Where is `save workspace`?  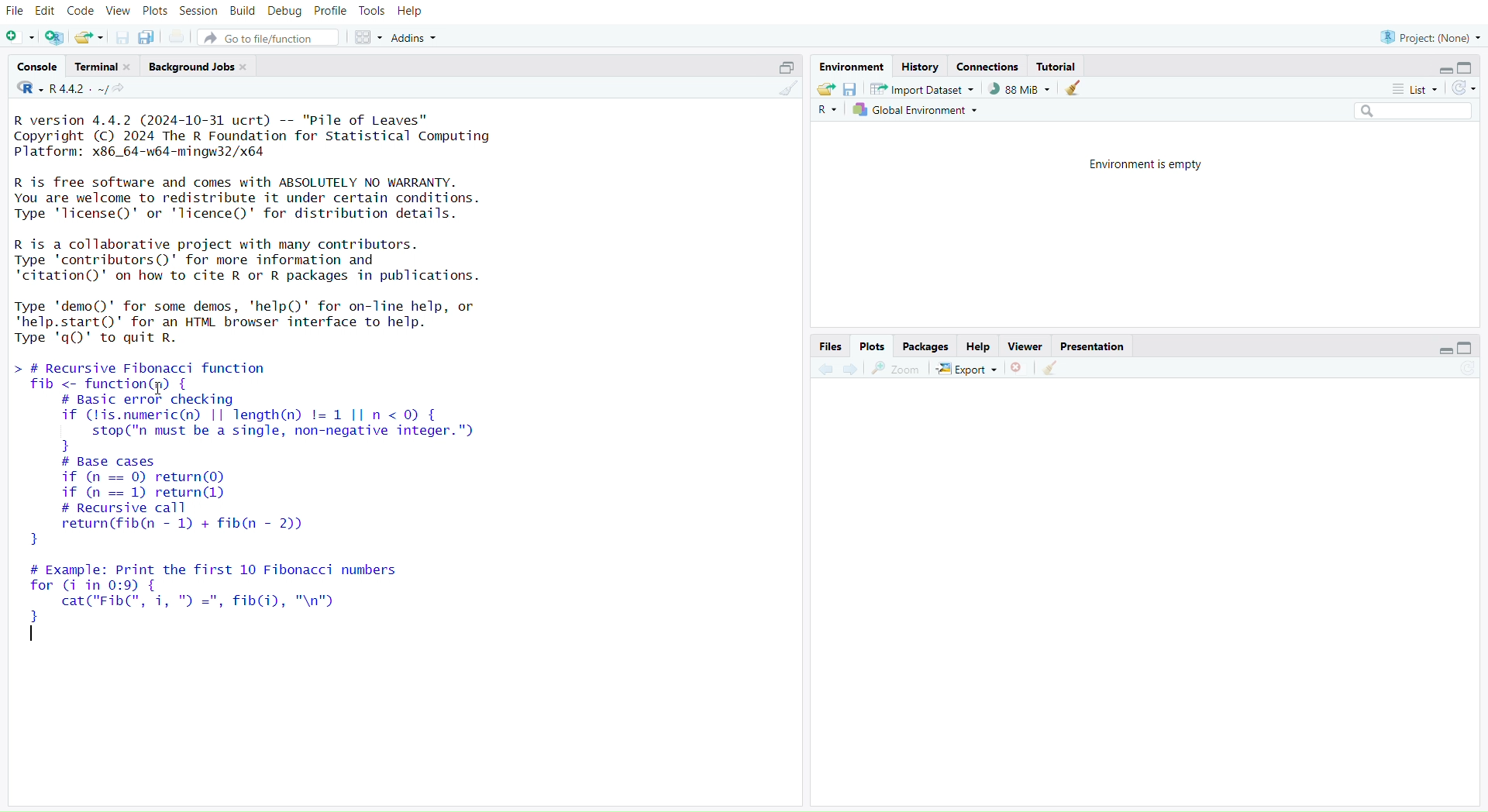
save workspace is located at coordinates (849, 90).